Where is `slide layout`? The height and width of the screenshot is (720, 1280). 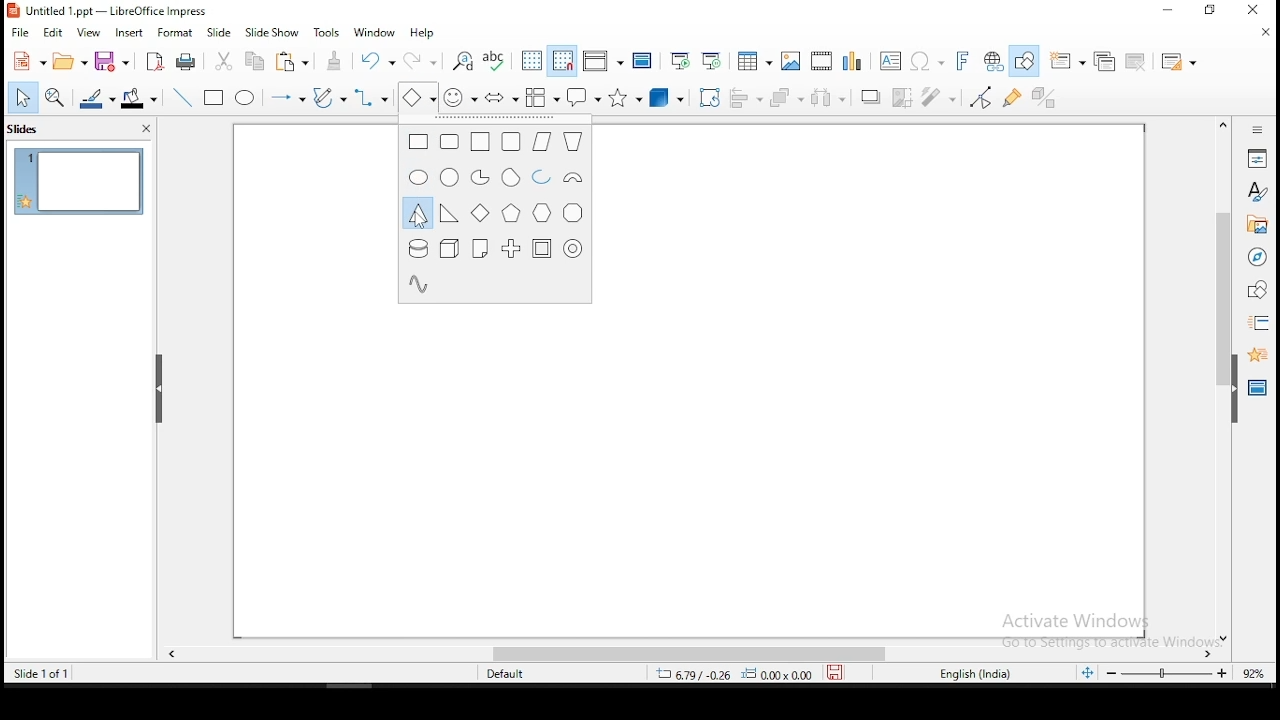
slide layout is located at coordinates (1179, 59).